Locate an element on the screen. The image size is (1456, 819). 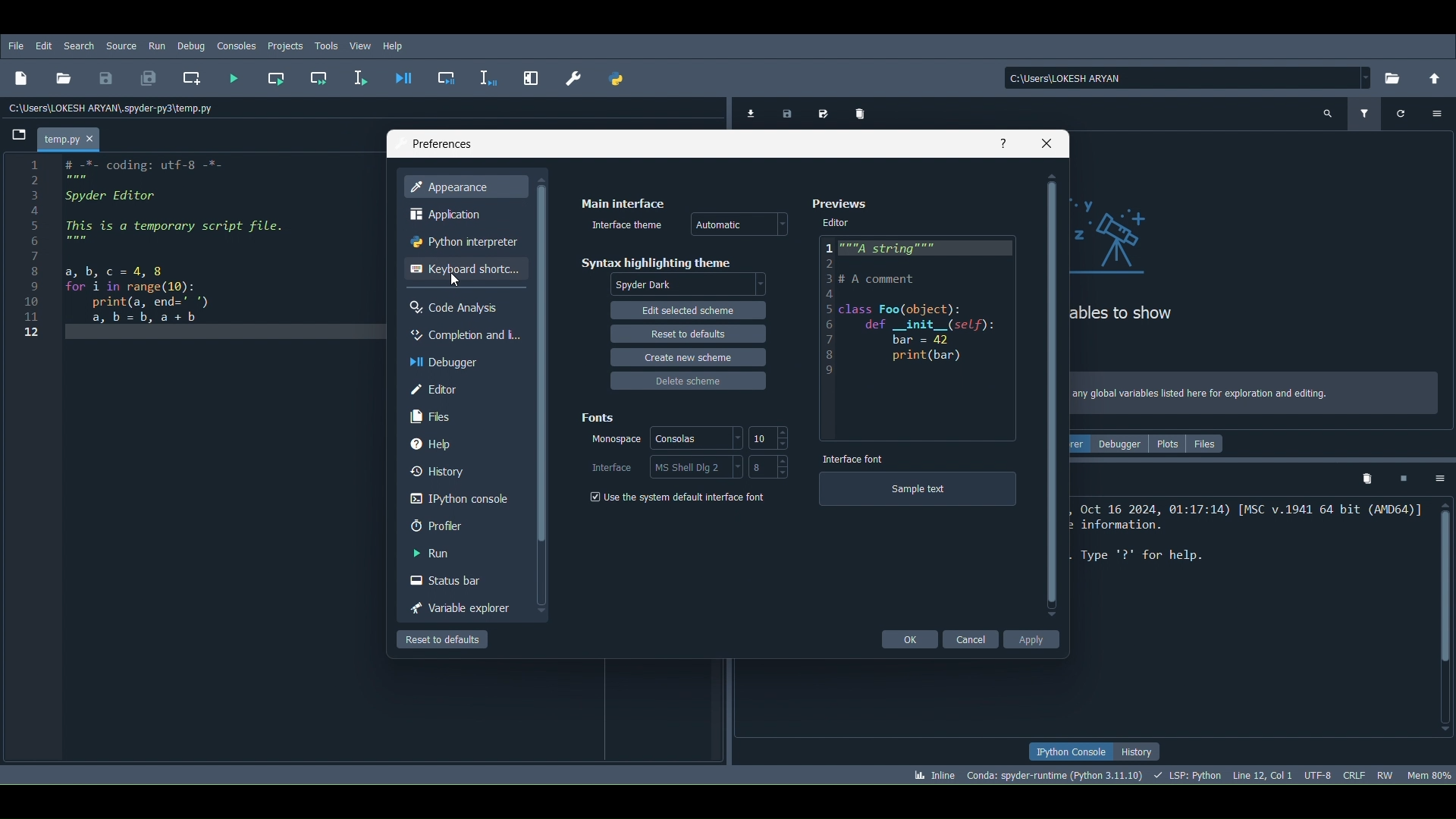
Browse tabs is located at coordinates (16, 138).